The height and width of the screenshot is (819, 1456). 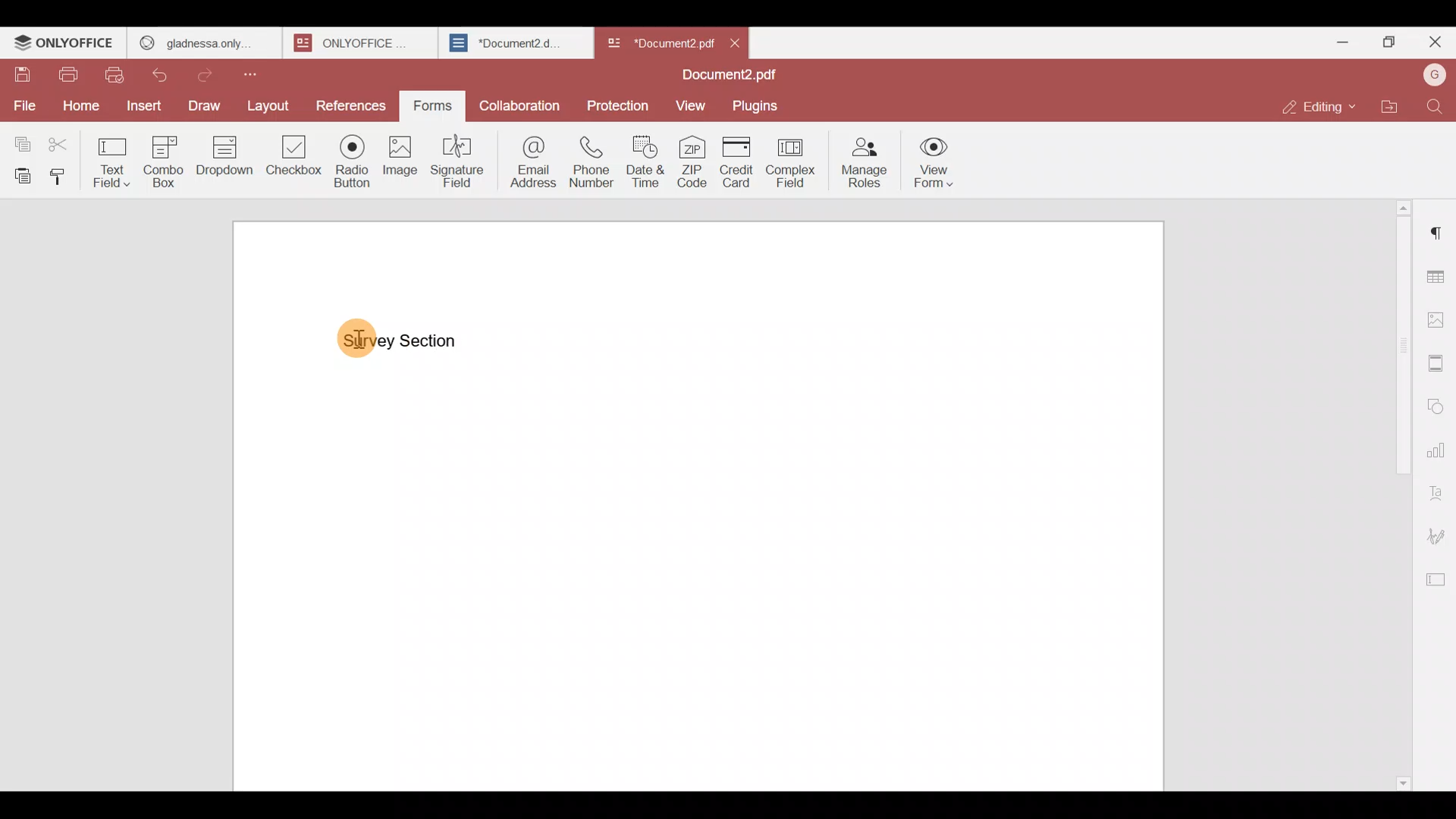 I want to click on Image, so click(x=399, y=158).